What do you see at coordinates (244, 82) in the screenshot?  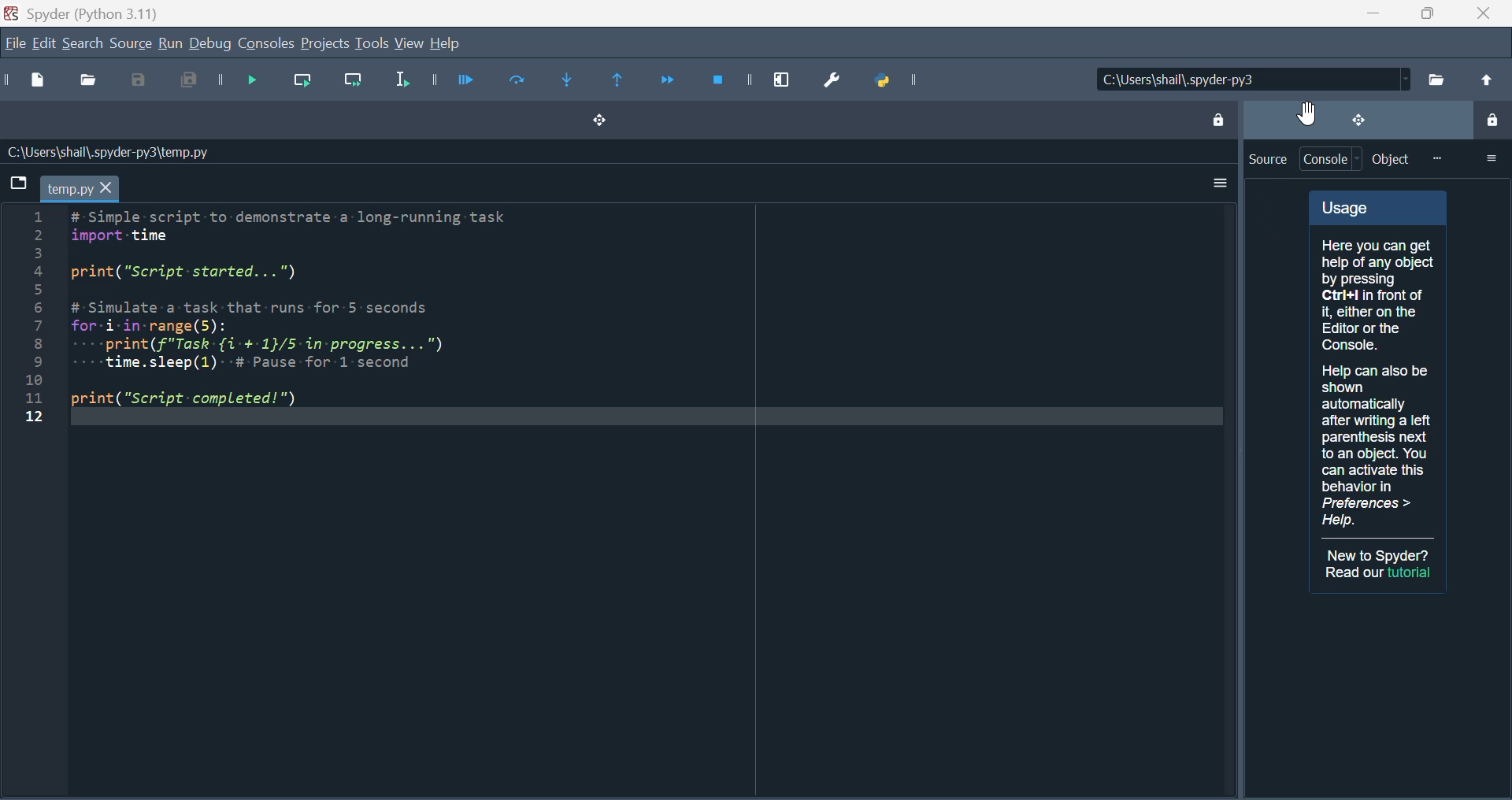 I see `Debug file` at bounding box center [244, 82].